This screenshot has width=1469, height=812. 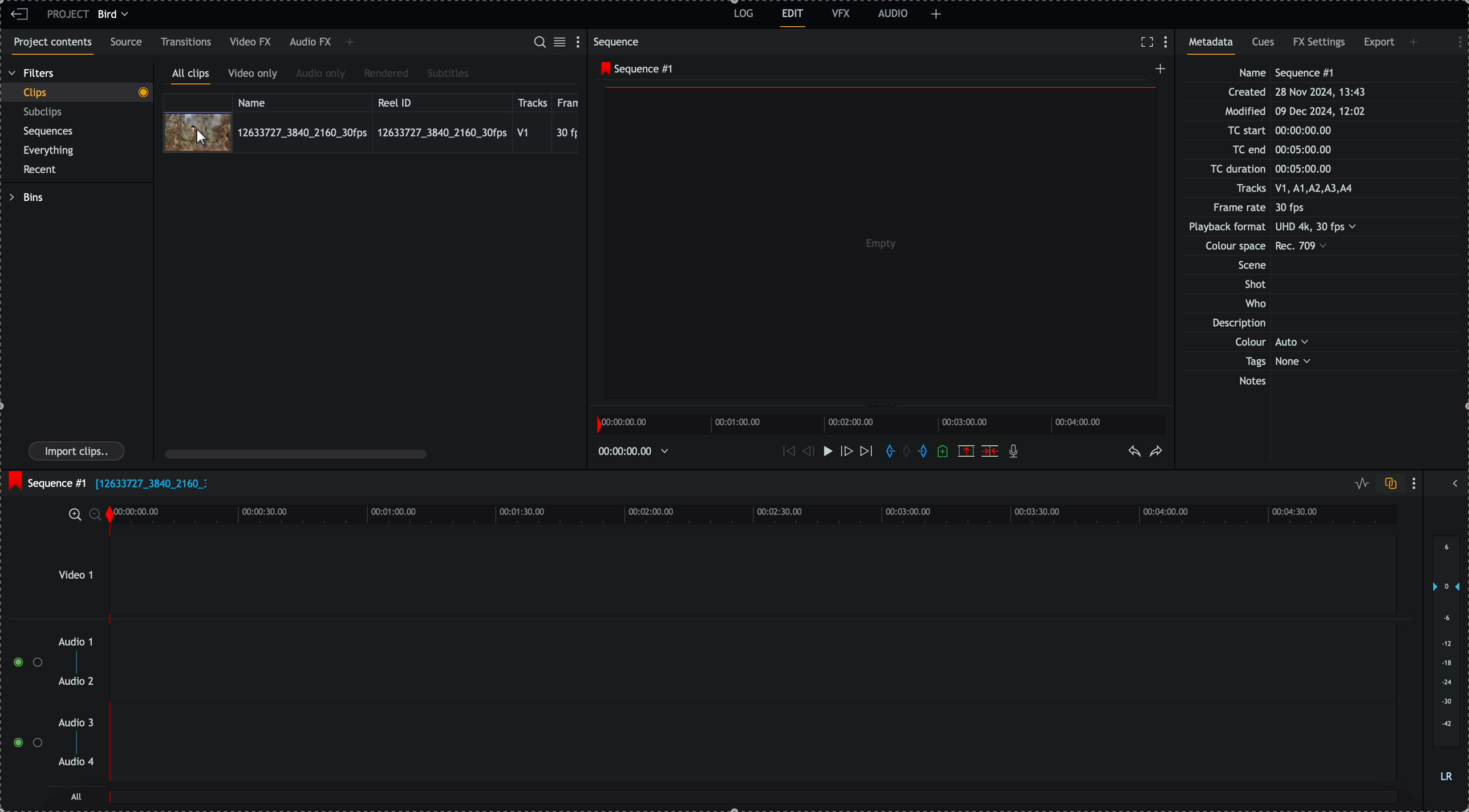 I want to click on audio FX, so click(x=310, y=43).